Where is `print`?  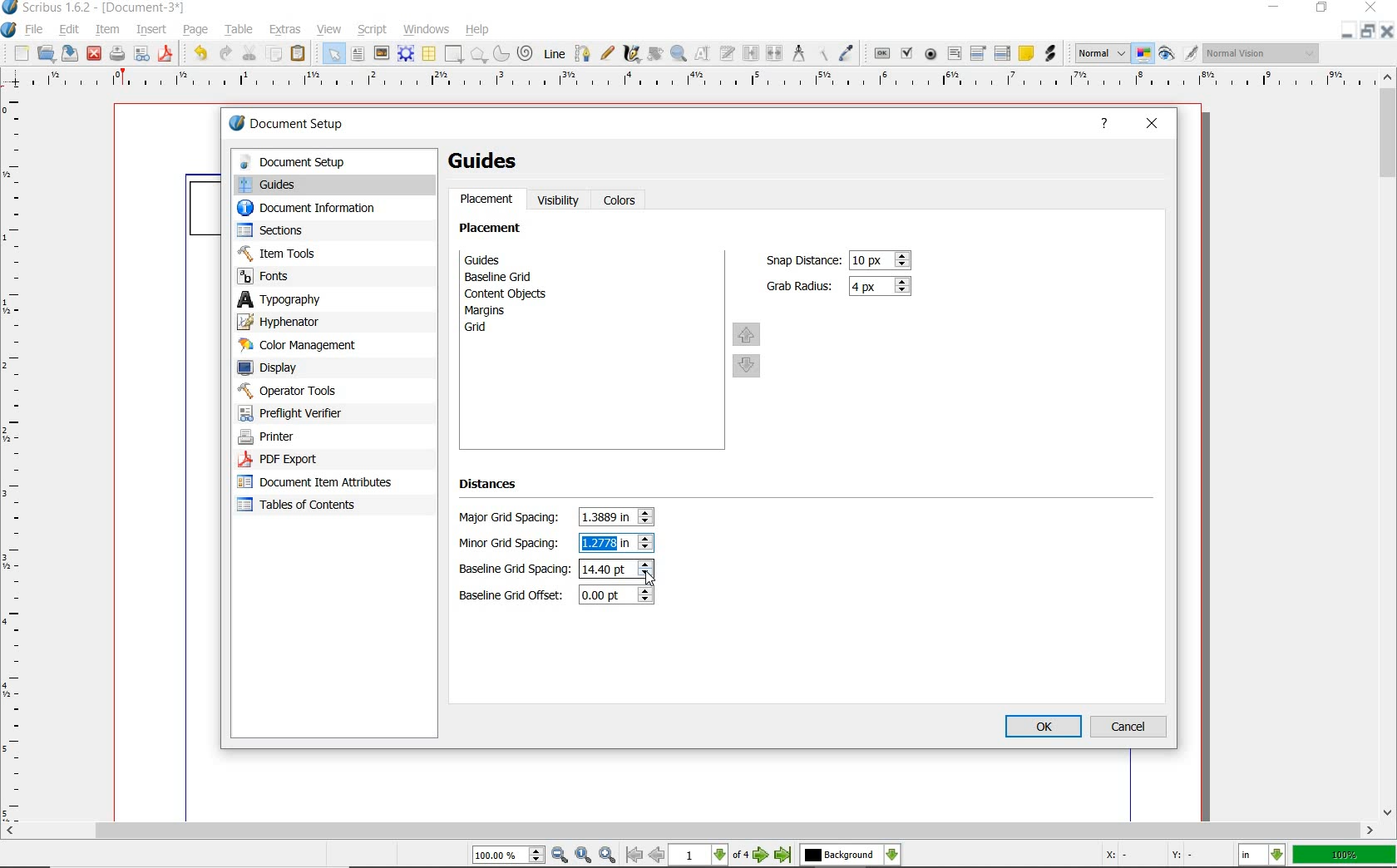 print is located at coordinates (117, 54).